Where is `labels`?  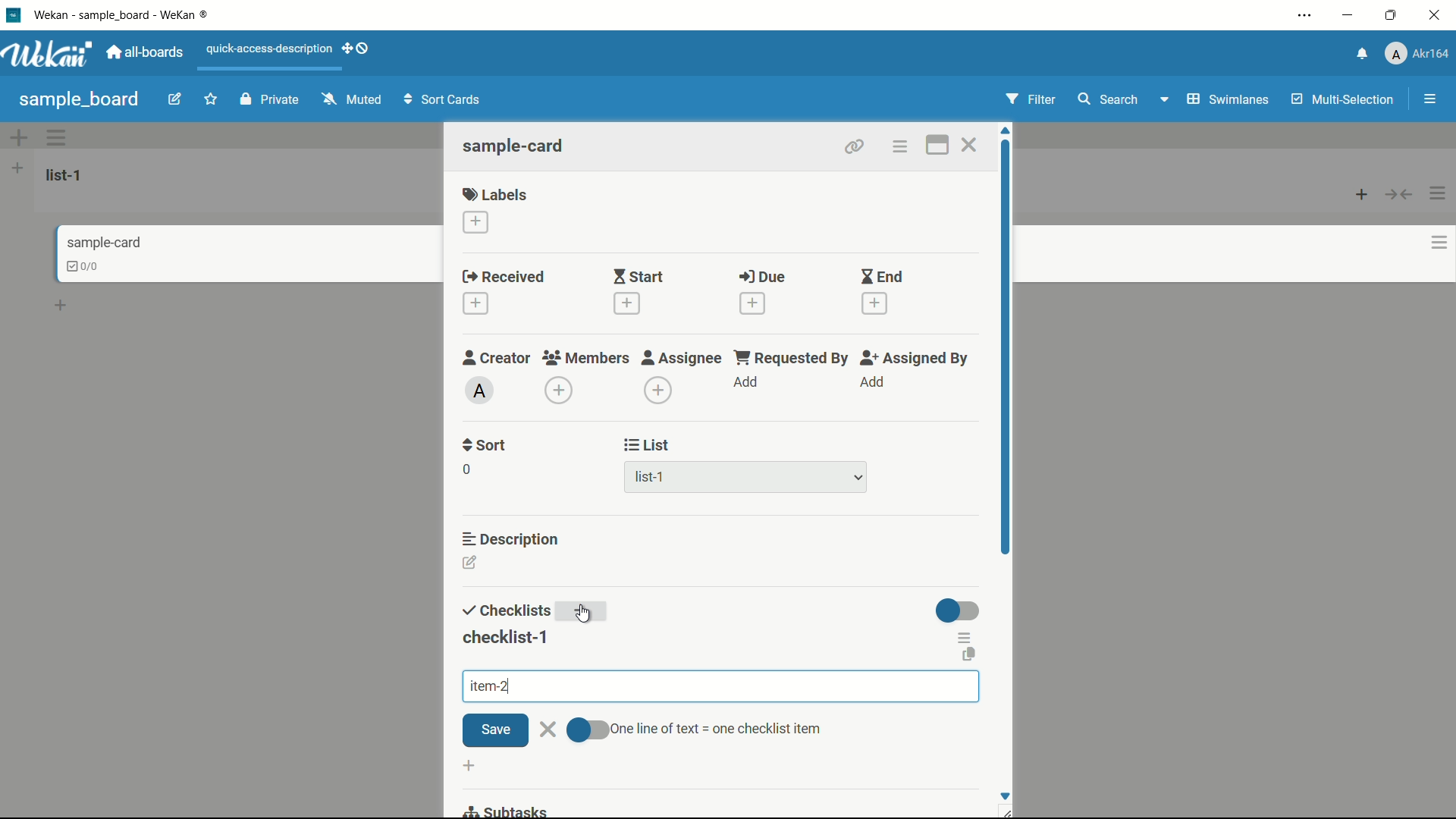 labels is located at coordinates (495, 193).